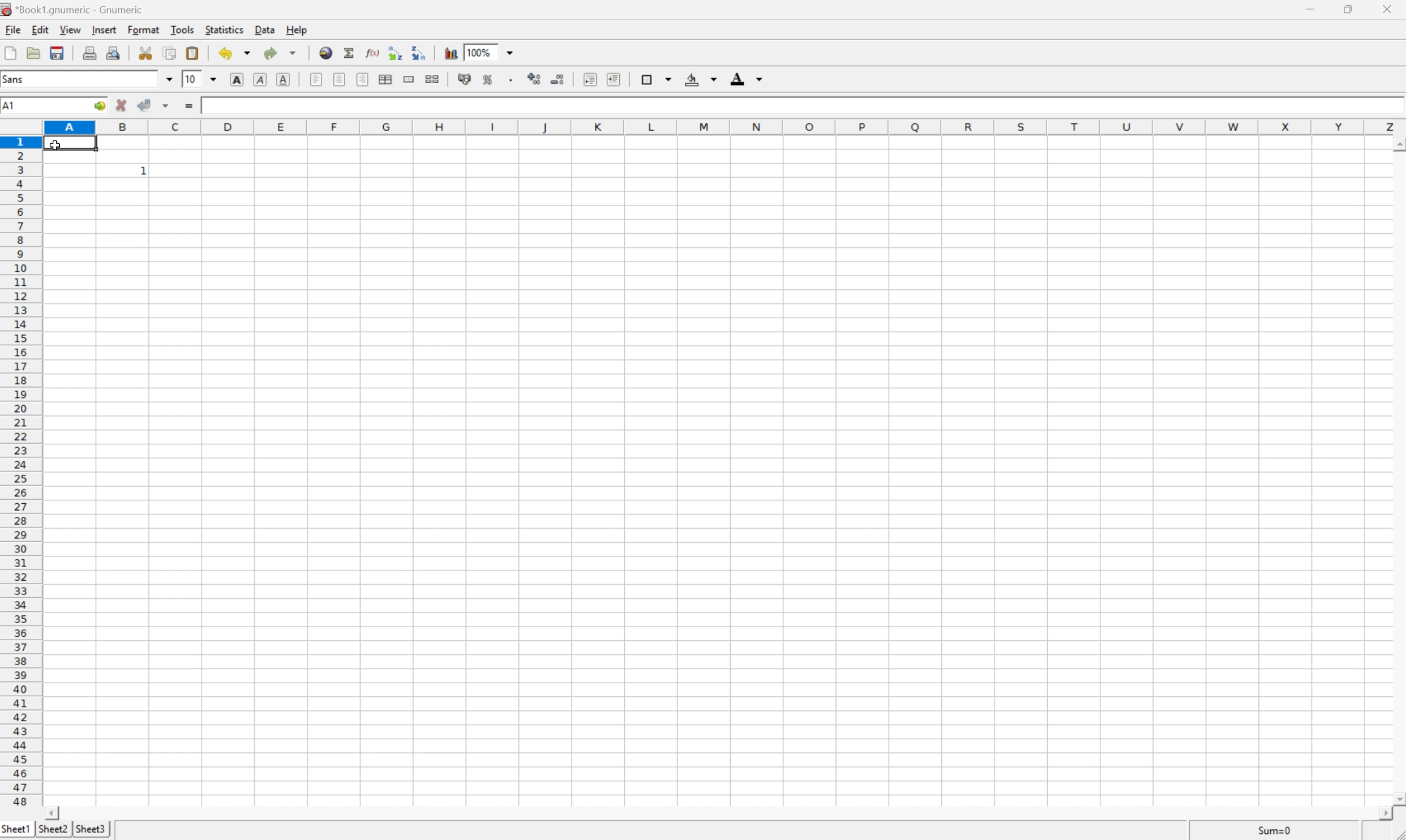 The height and width of the screenshot is (840, 1406). I want to click on Center horizontally, so click(338, 79).